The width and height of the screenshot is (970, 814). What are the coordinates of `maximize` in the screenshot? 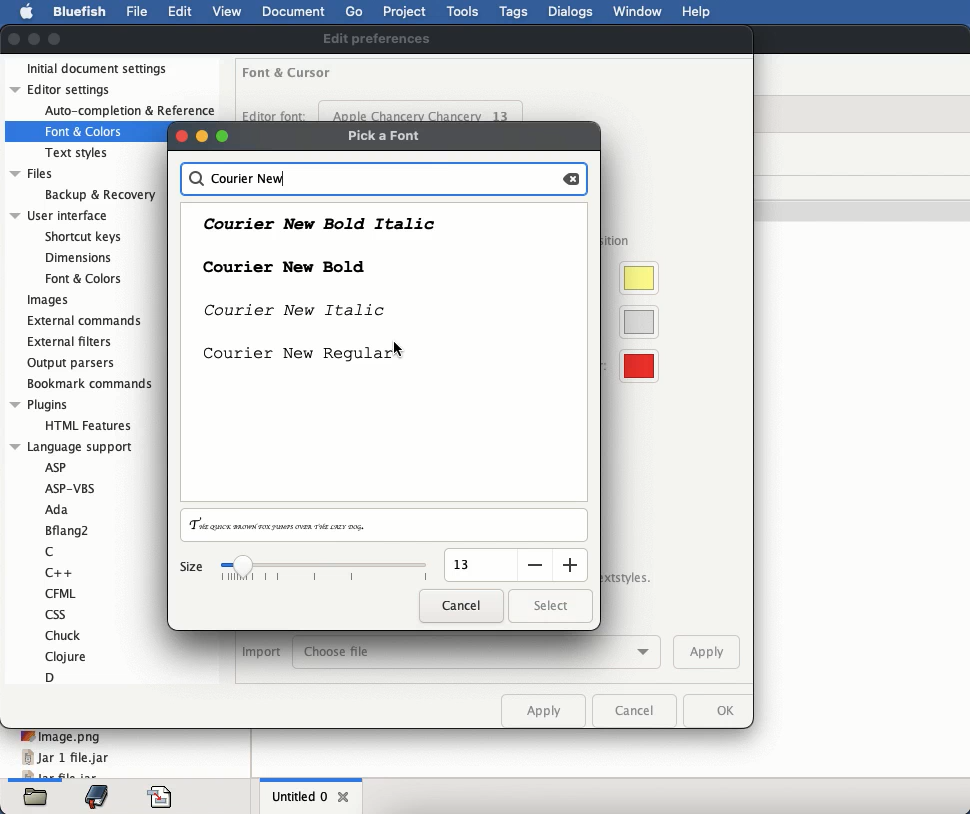 It's located at (56, 37).